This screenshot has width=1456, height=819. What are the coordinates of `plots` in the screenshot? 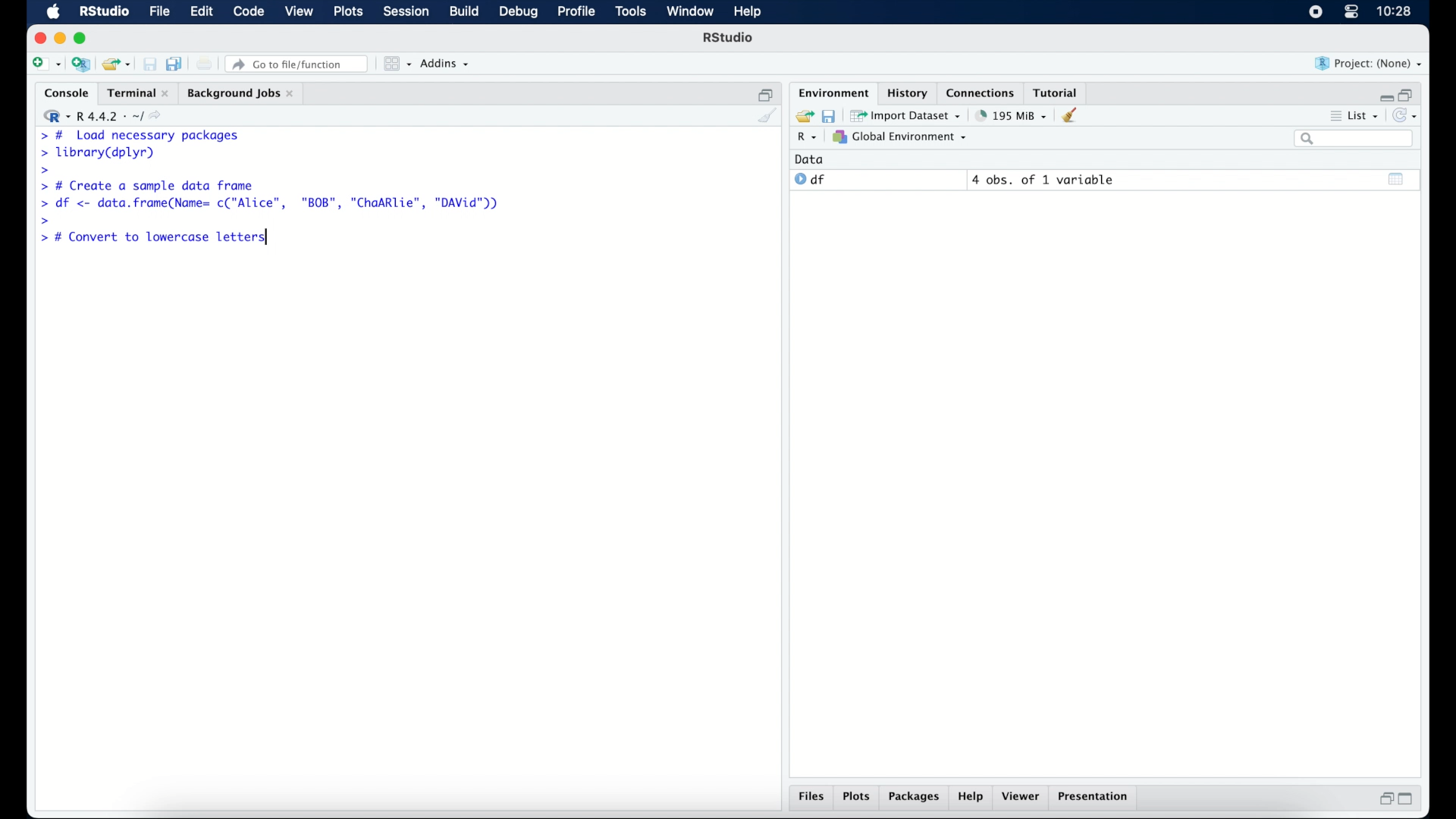 It's located at (350, 13).